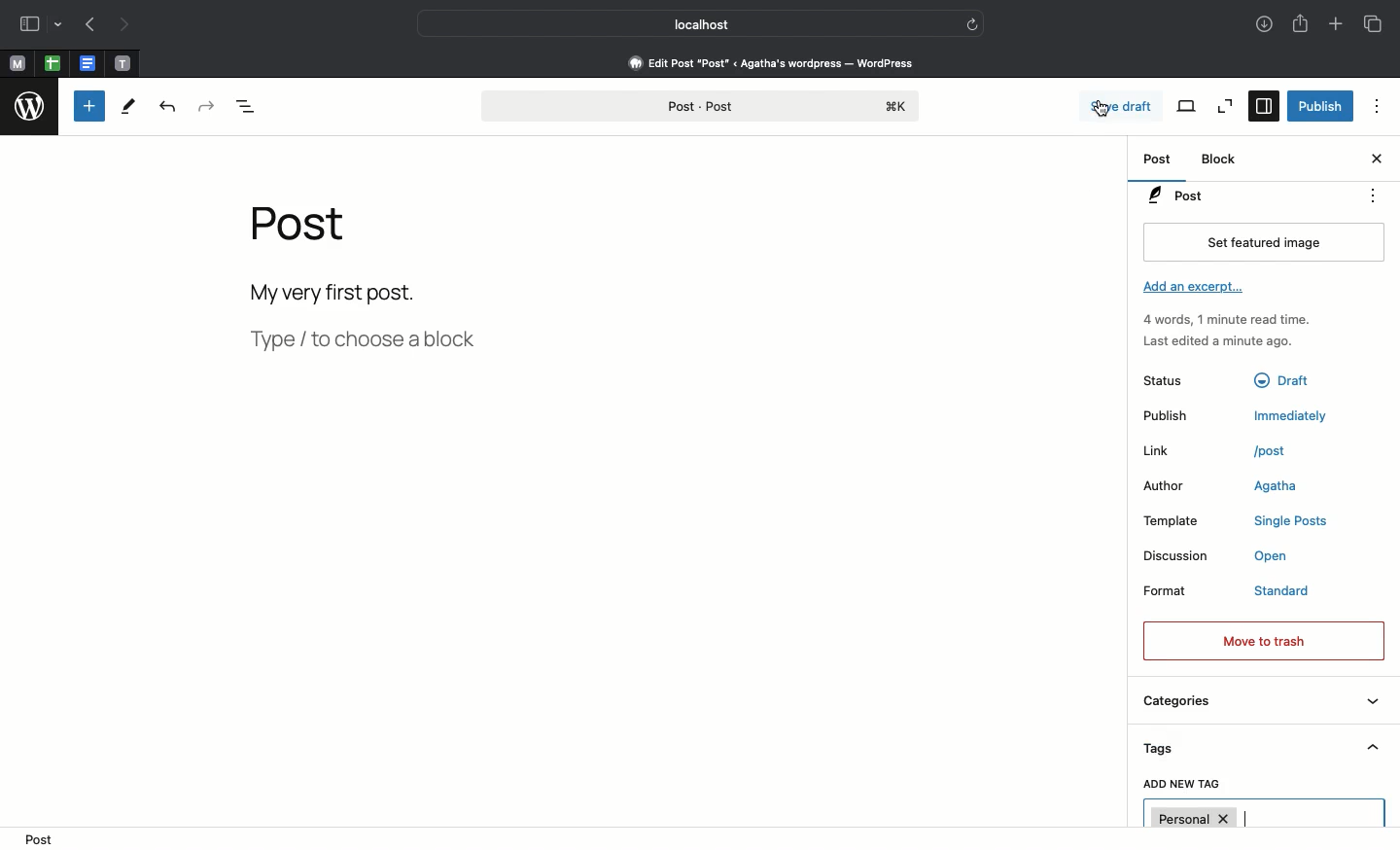 This screenshot has width=1400, height=850. I want to click on Post, so click(1159, 161).